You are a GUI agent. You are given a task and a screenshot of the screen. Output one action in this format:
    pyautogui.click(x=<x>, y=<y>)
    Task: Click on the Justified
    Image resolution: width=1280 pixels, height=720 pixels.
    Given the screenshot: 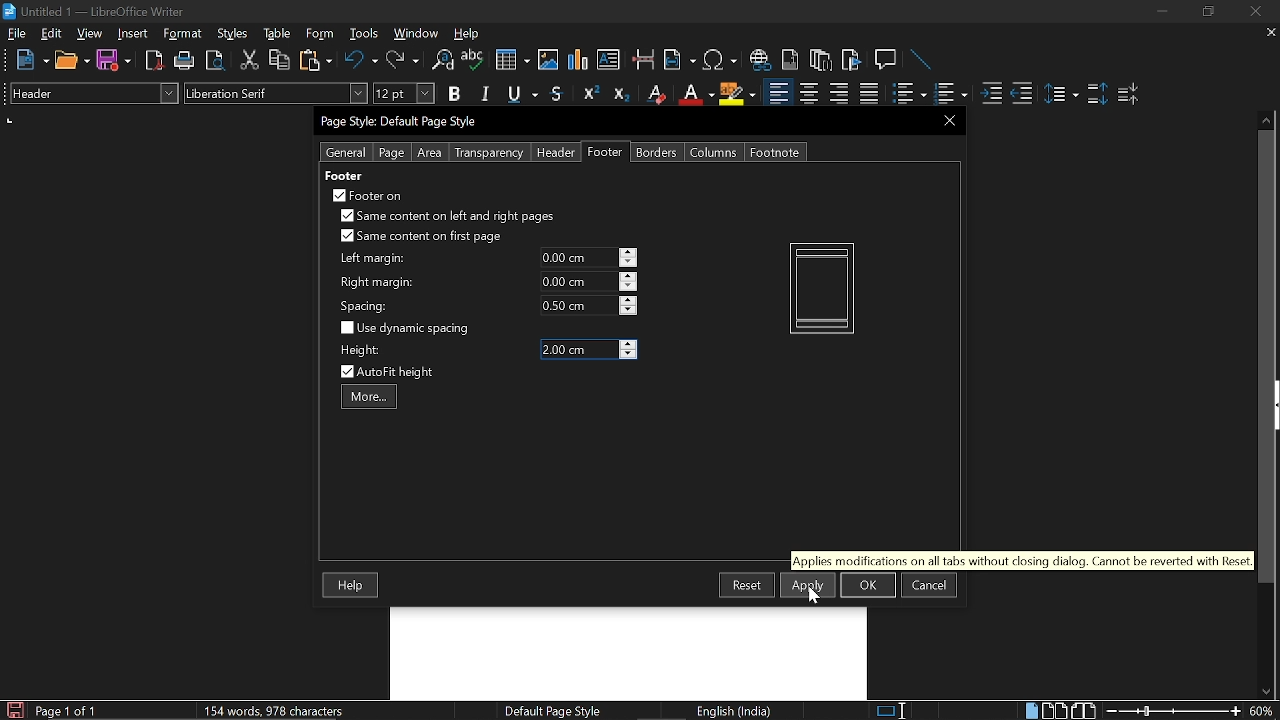 What is the action you would take?
    pyautogui.click(x=870, y=94)
    